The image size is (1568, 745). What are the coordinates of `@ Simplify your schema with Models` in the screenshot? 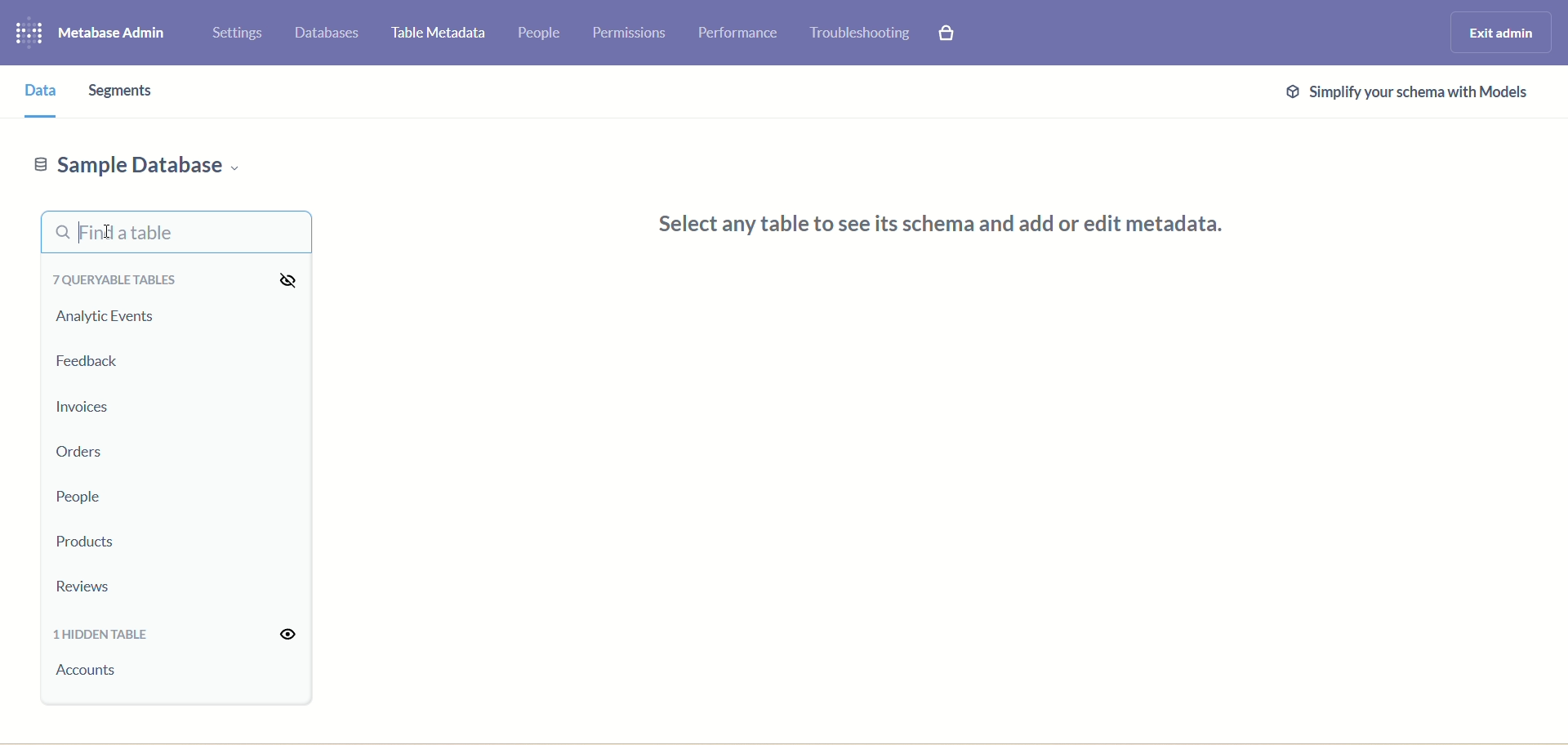 It's located at (1405, 92).